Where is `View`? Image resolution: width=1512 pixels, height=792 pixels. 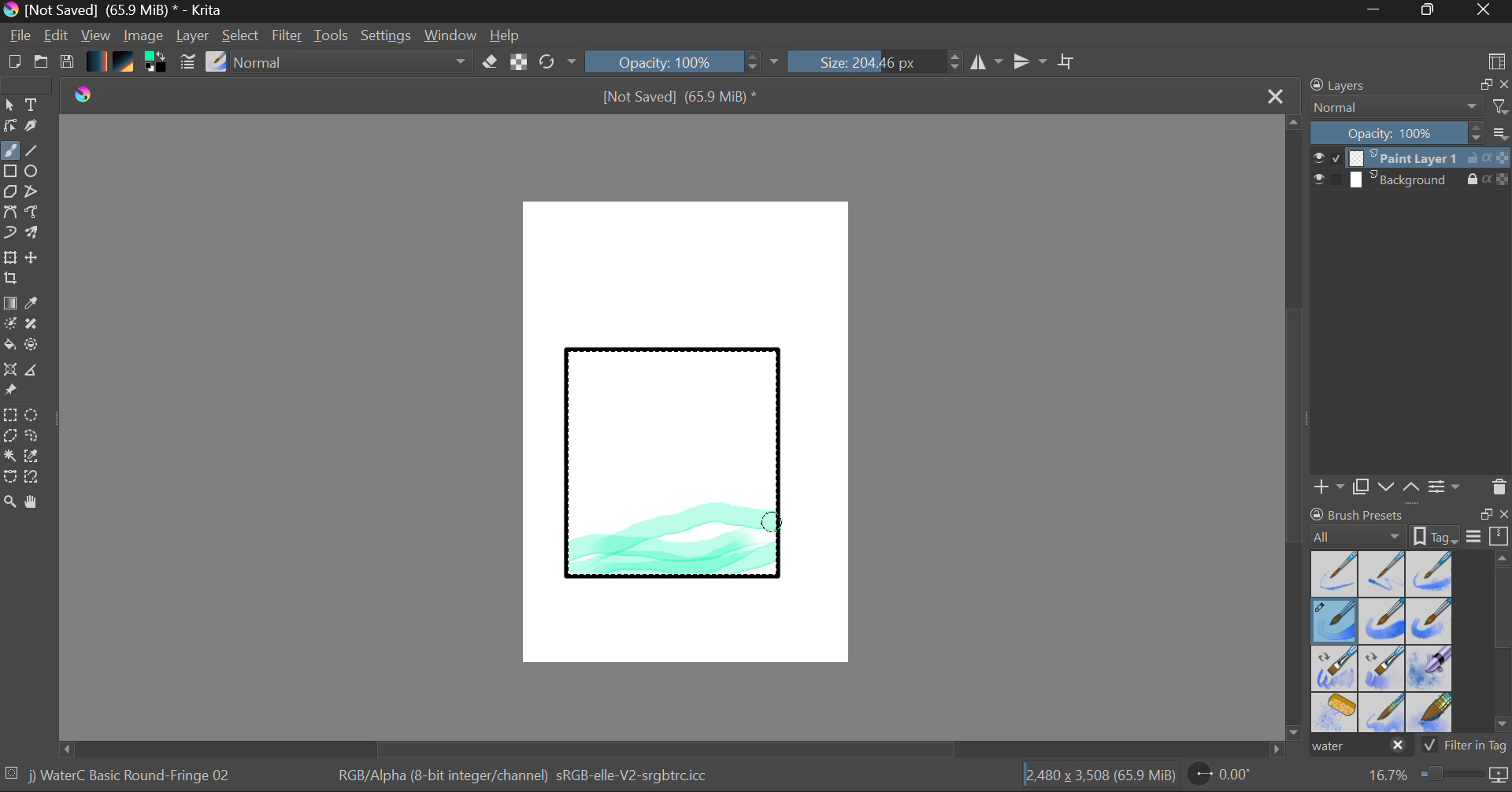 View is located at coordinates (96, 35).